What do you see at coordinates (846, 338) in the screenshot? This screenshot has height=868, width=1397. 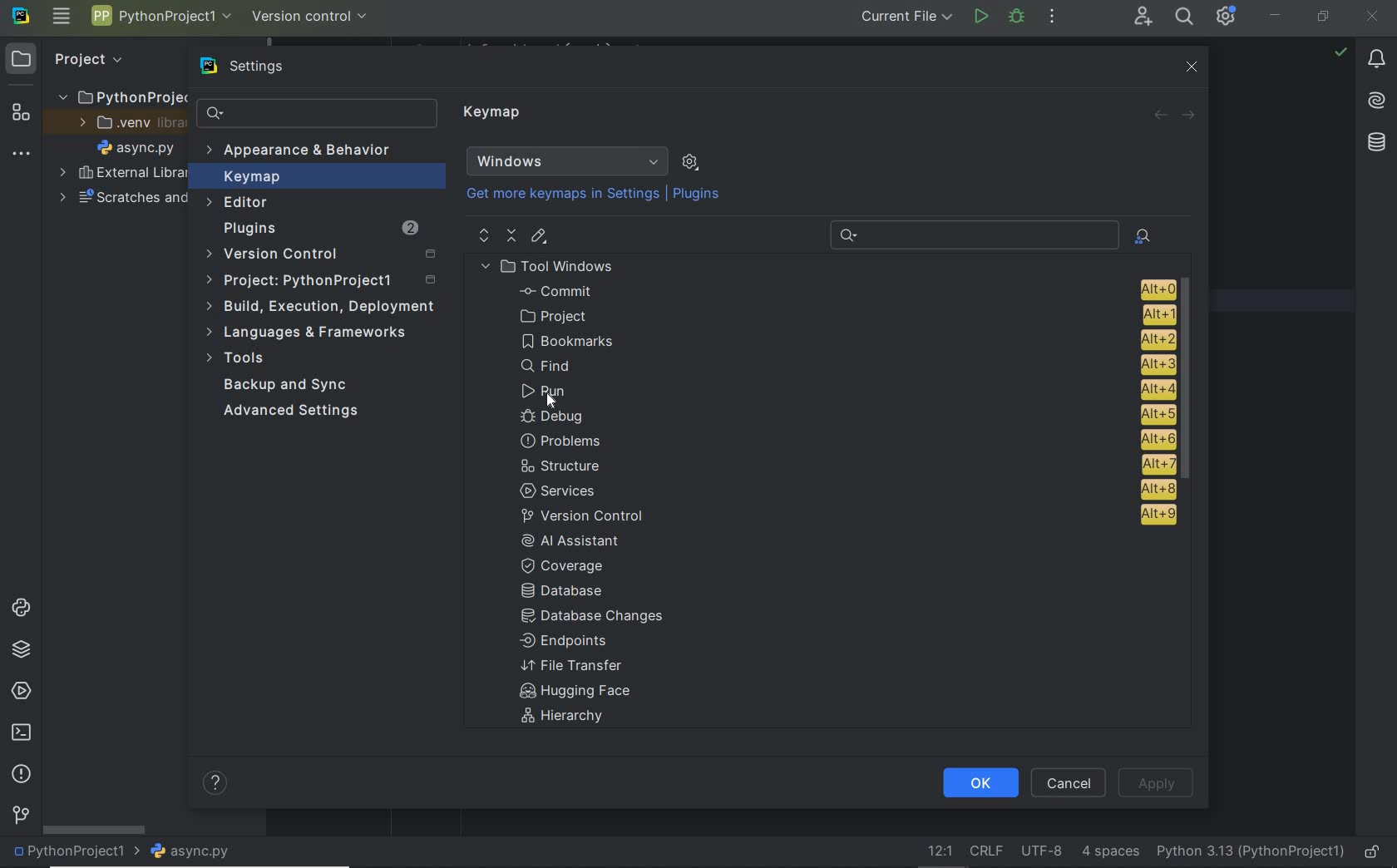 I see `Bookmarks` at bounding box center [846, 338].